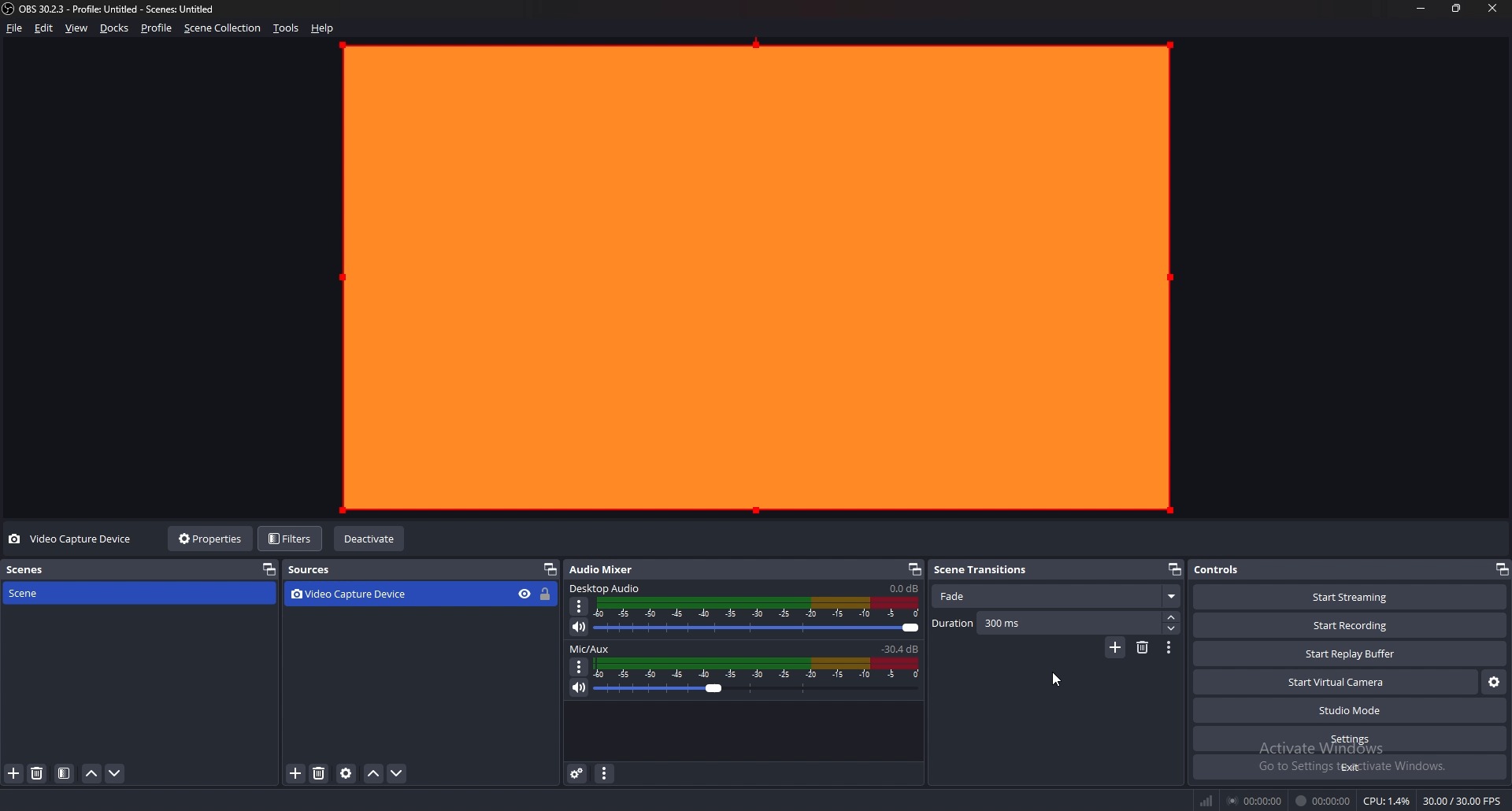 This screenshot has height=811, width=1512. What do you see at coordinates (754, 277) in the screenshot?
I see `webcam` at bounding box center [754, 277].